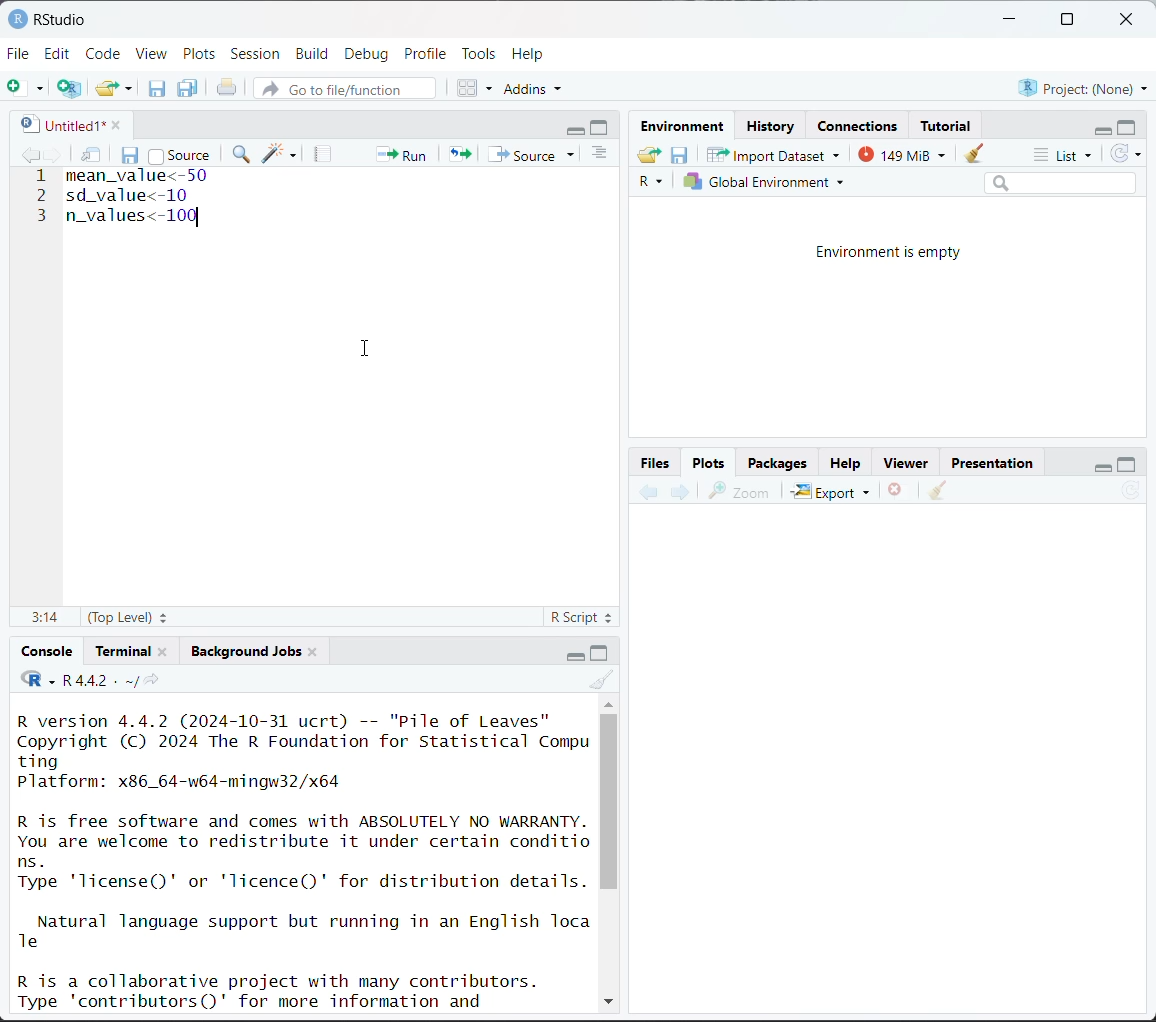 The image size is (1156, 1022). What do you see at coordinates (47, 18) in the screenshot?
I see `RStudio` at bounding box center [47, 18].